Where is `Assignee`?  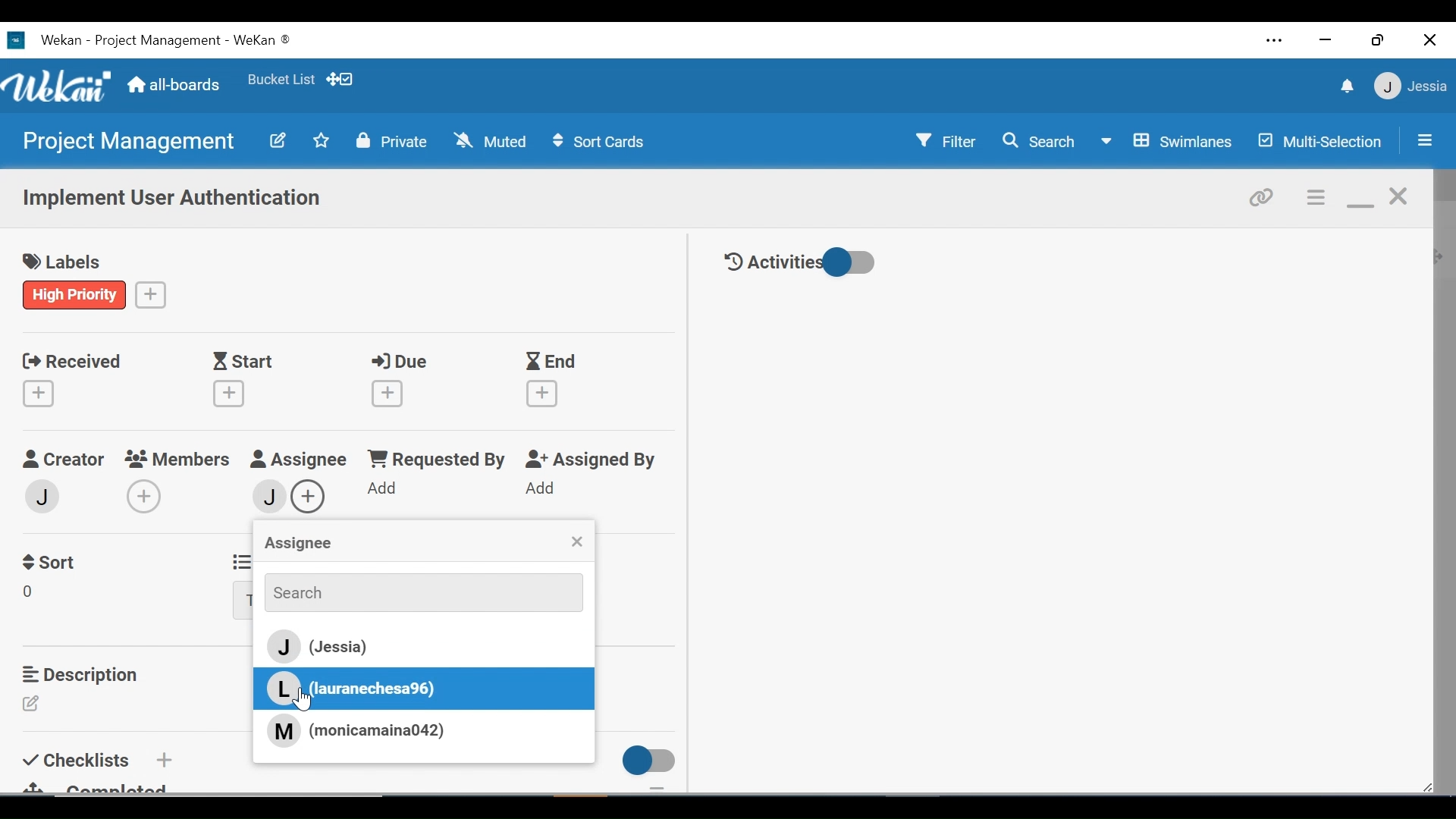 Assignee is located at coordinates (299, 460).